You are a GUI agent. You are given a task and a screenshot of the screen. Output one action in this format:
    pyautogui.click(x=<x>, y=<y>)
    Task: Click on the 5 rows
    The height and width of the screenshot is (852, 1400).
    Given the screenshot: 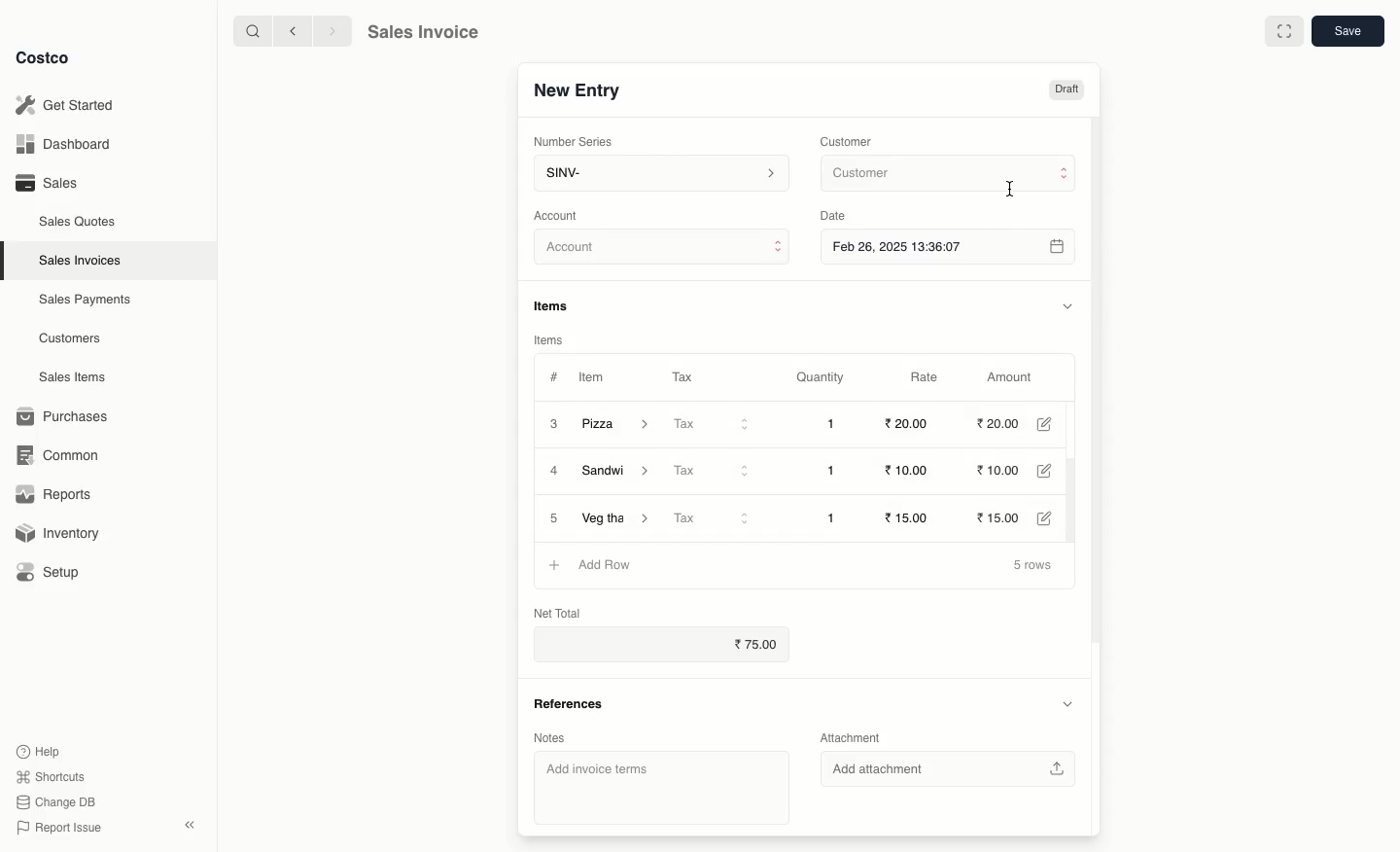 What is the action you would take?
    pyautogui.click(x=1033, y=566)
    